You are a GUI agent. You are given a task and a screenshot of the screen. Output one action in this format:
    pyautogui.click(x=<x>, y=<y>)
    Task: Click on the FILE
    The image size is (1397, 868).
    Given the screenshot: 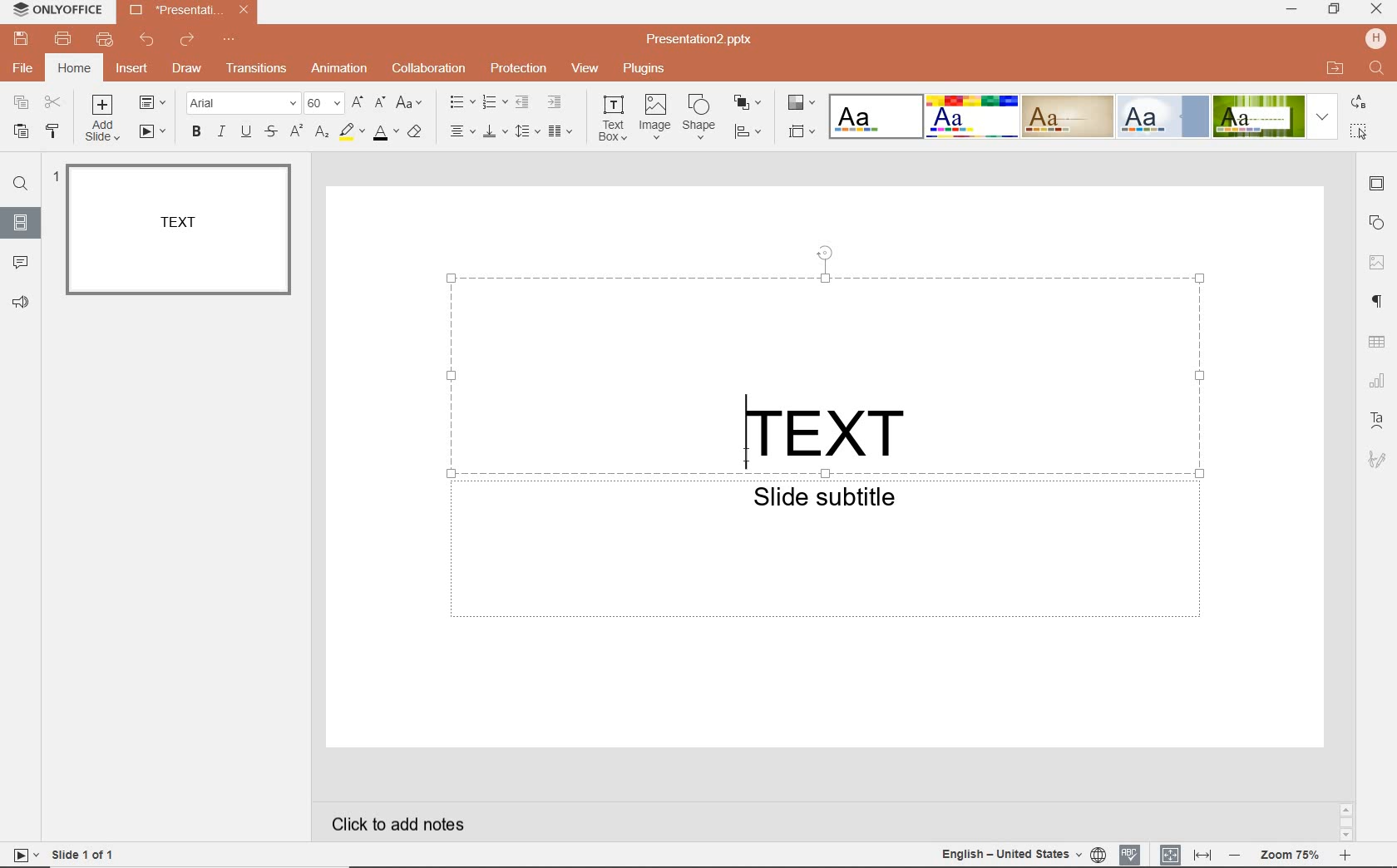 What is the action you would take?
    pyautogui.click(x=23, y=70)
    